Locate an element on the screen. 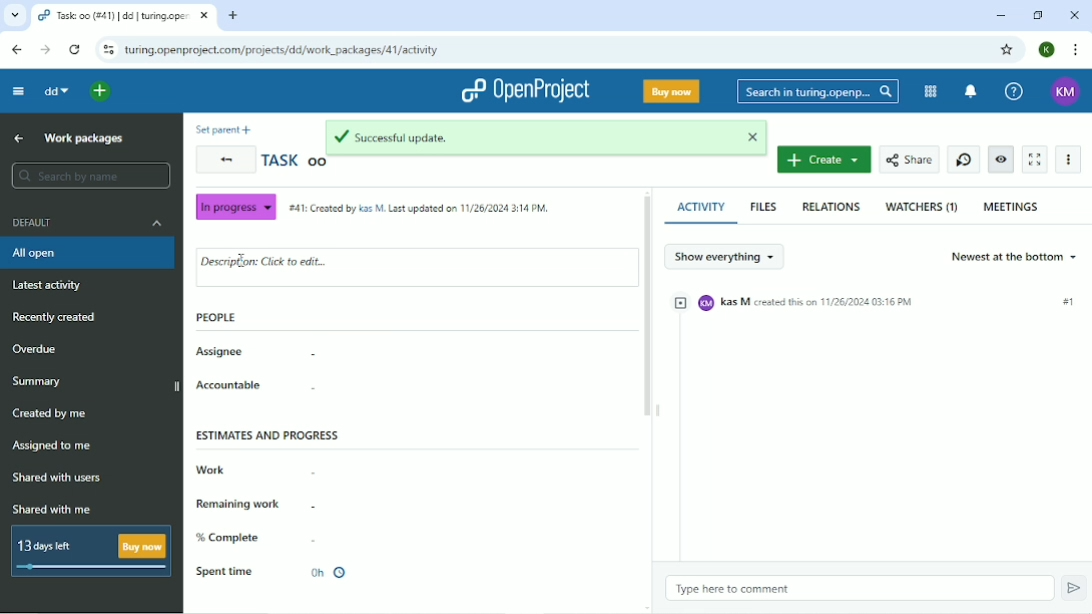  Newest at the bottom is located at coordinates (1016, 256).